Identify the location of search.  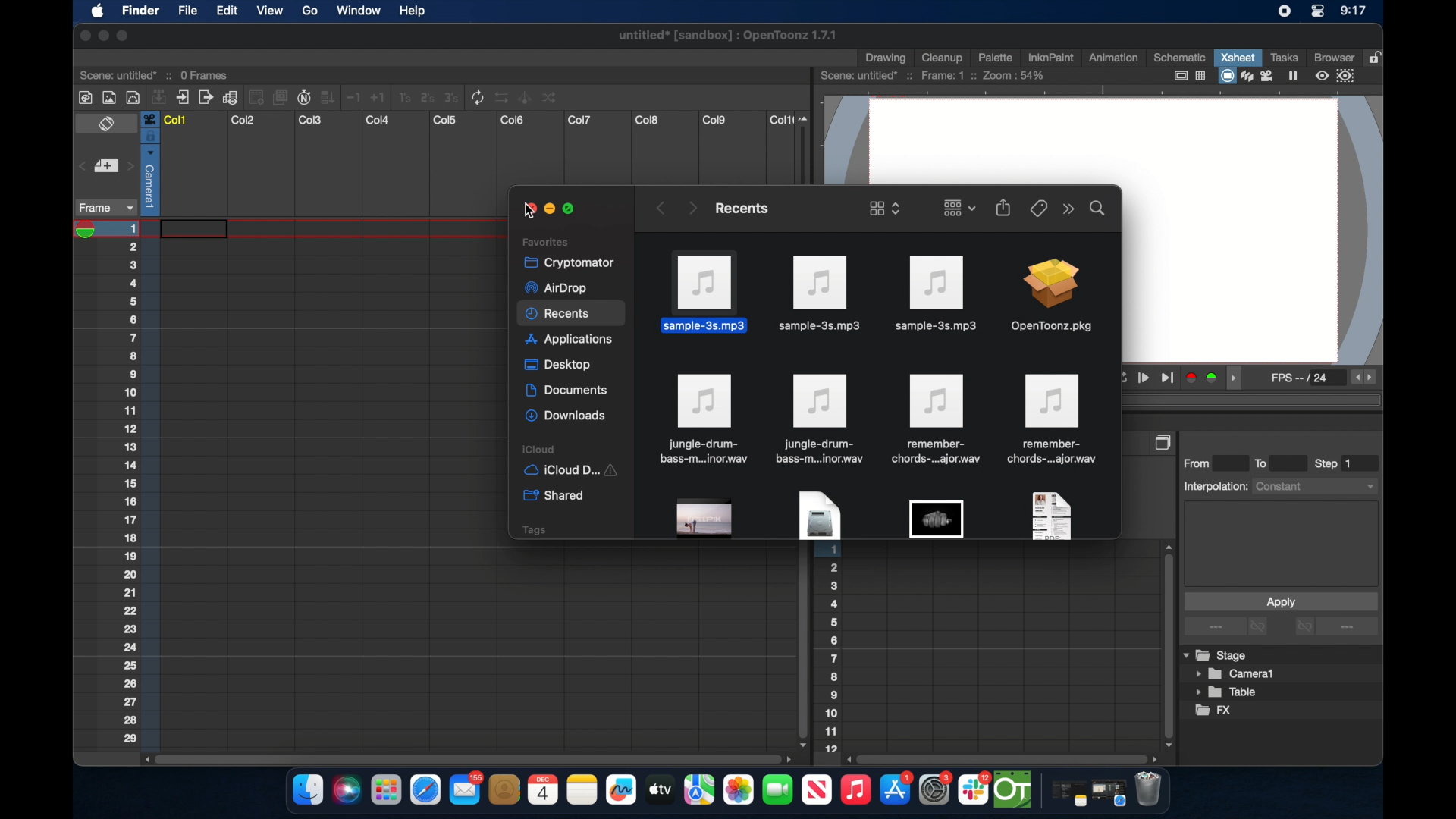
(1098, 207).